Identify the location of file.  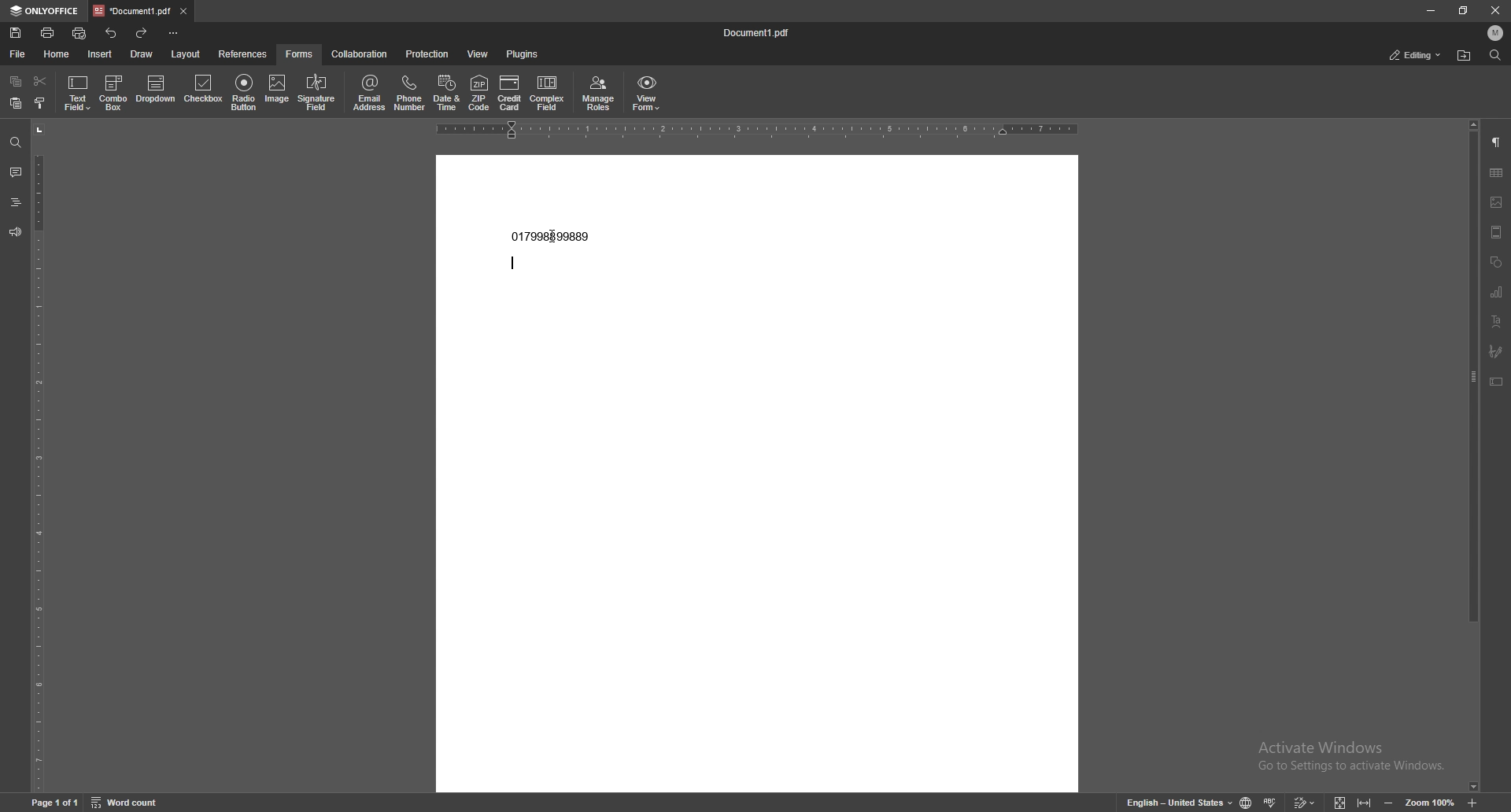
(17, 55).